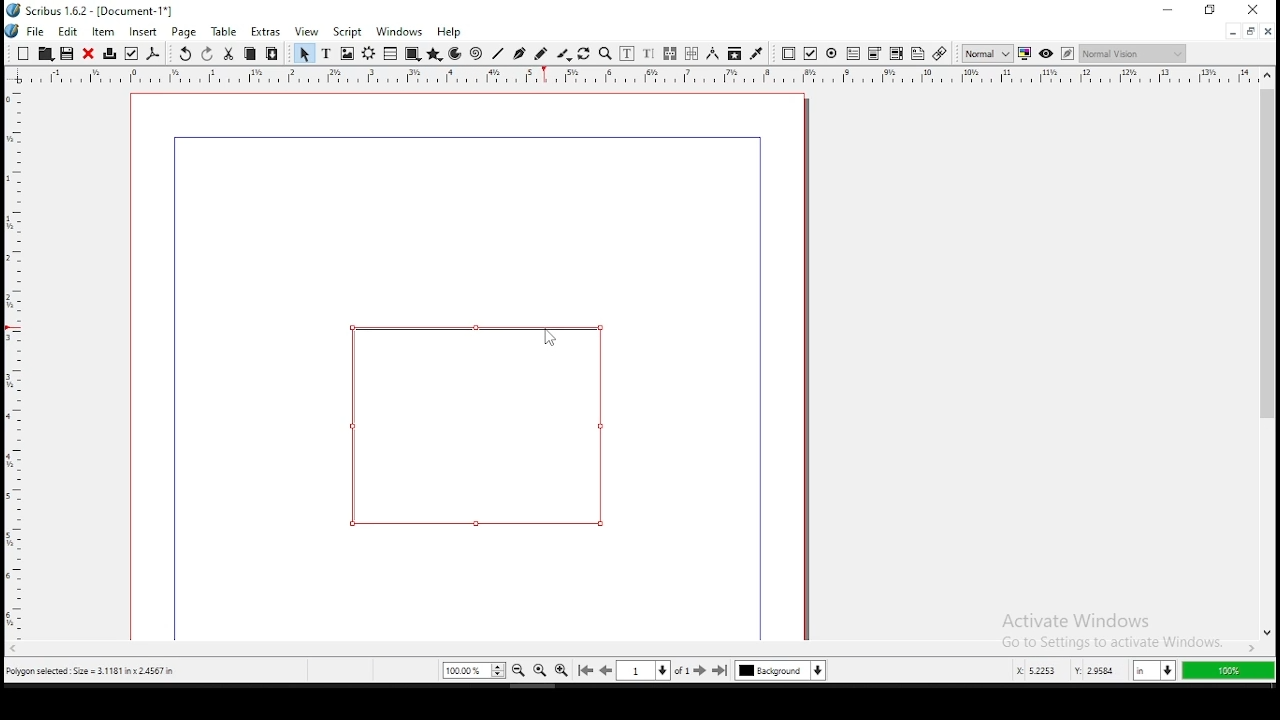 The height and width of the screenshot is (720, 1280). Describe the element at coordinates (757, 55) in the screenshot. I see `eyedropper` at that location.